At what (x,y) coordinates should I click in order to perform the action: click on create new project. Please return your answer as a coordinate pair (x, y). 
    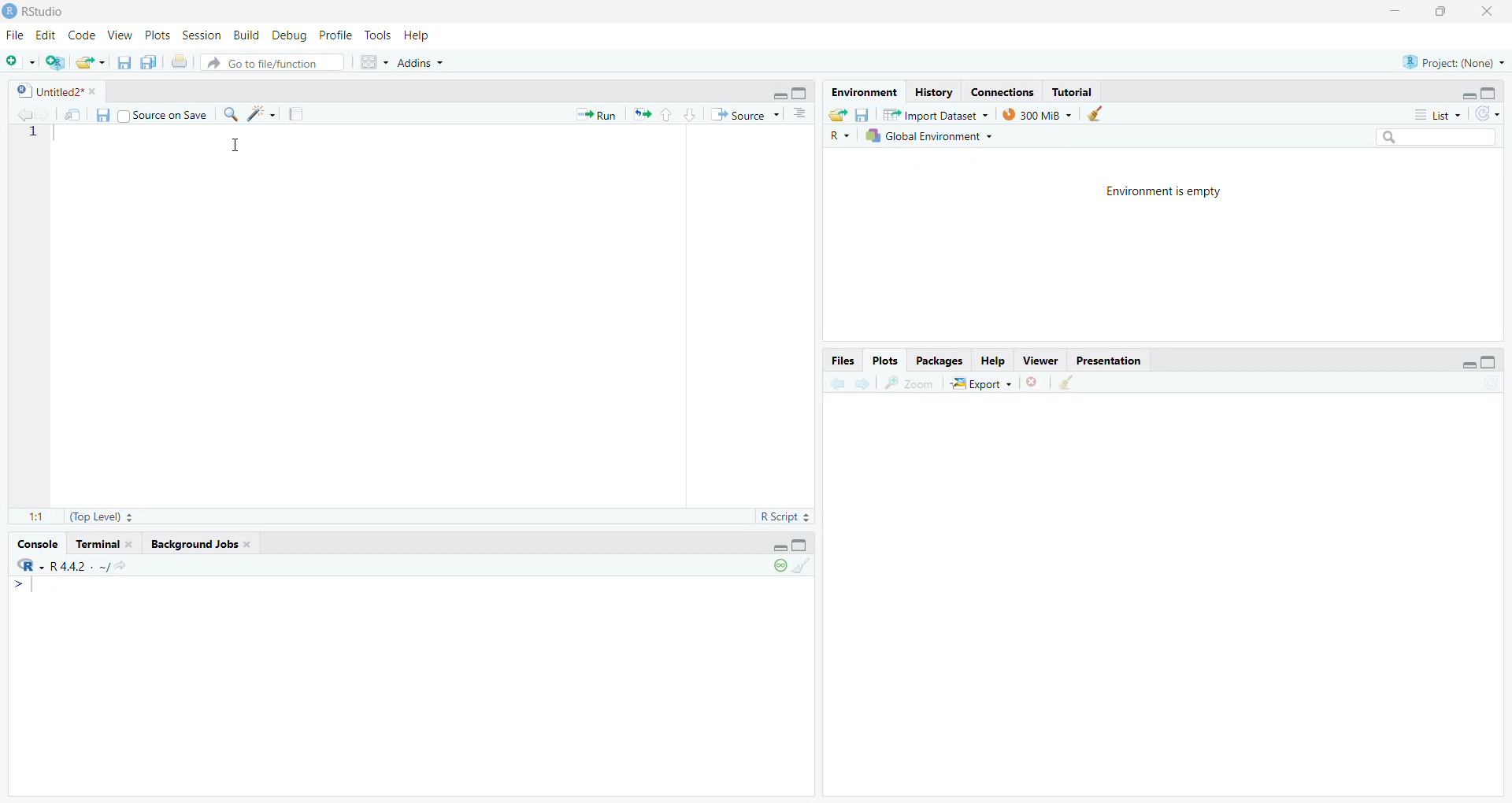
    Looking at the image, I should click on (53, 61).